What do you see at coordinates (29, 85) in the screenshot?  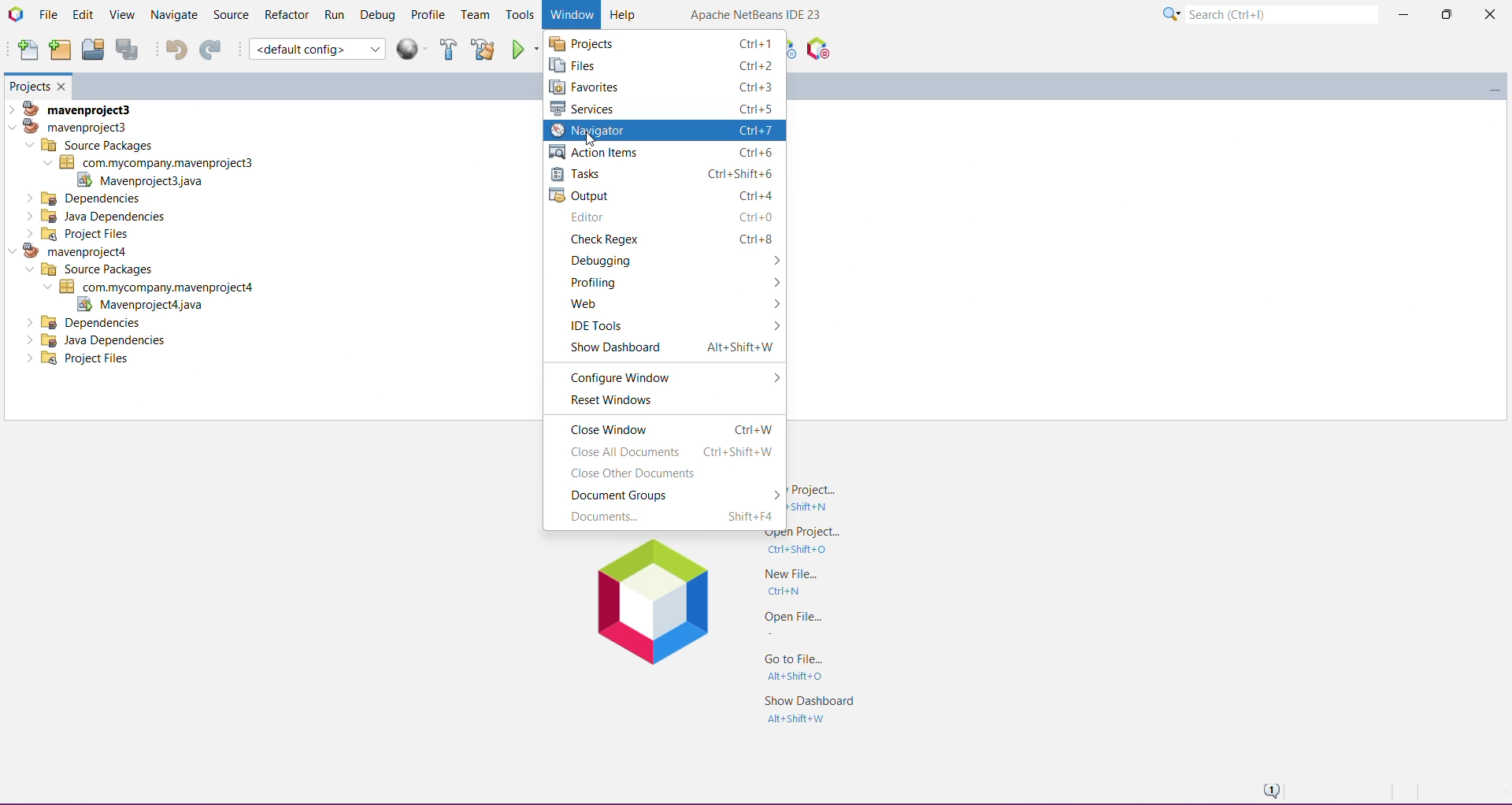 I see `Projects Window` at bounding box center [29, 85].